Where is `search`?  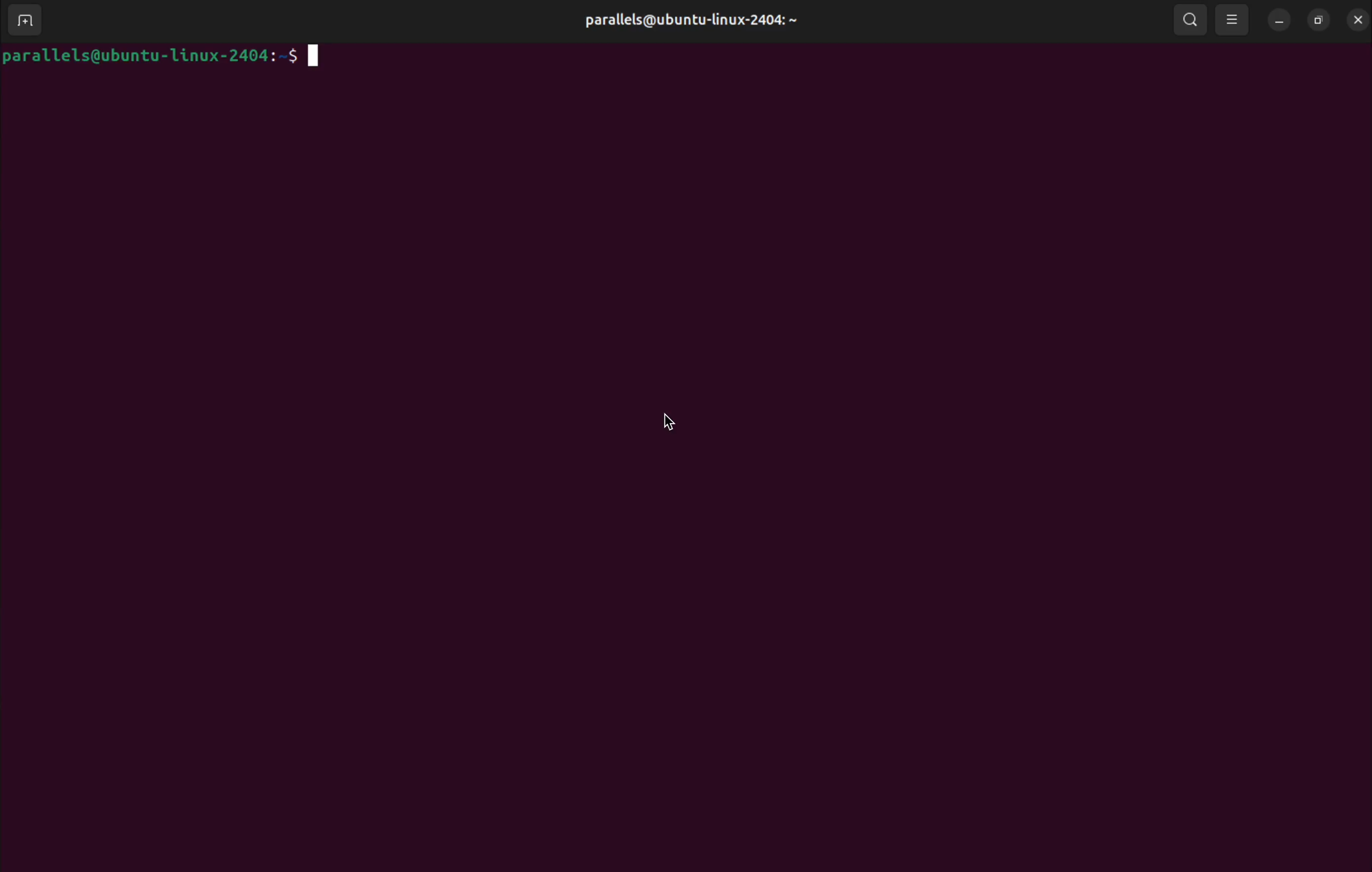 search is located at coordinates (1193, 19).